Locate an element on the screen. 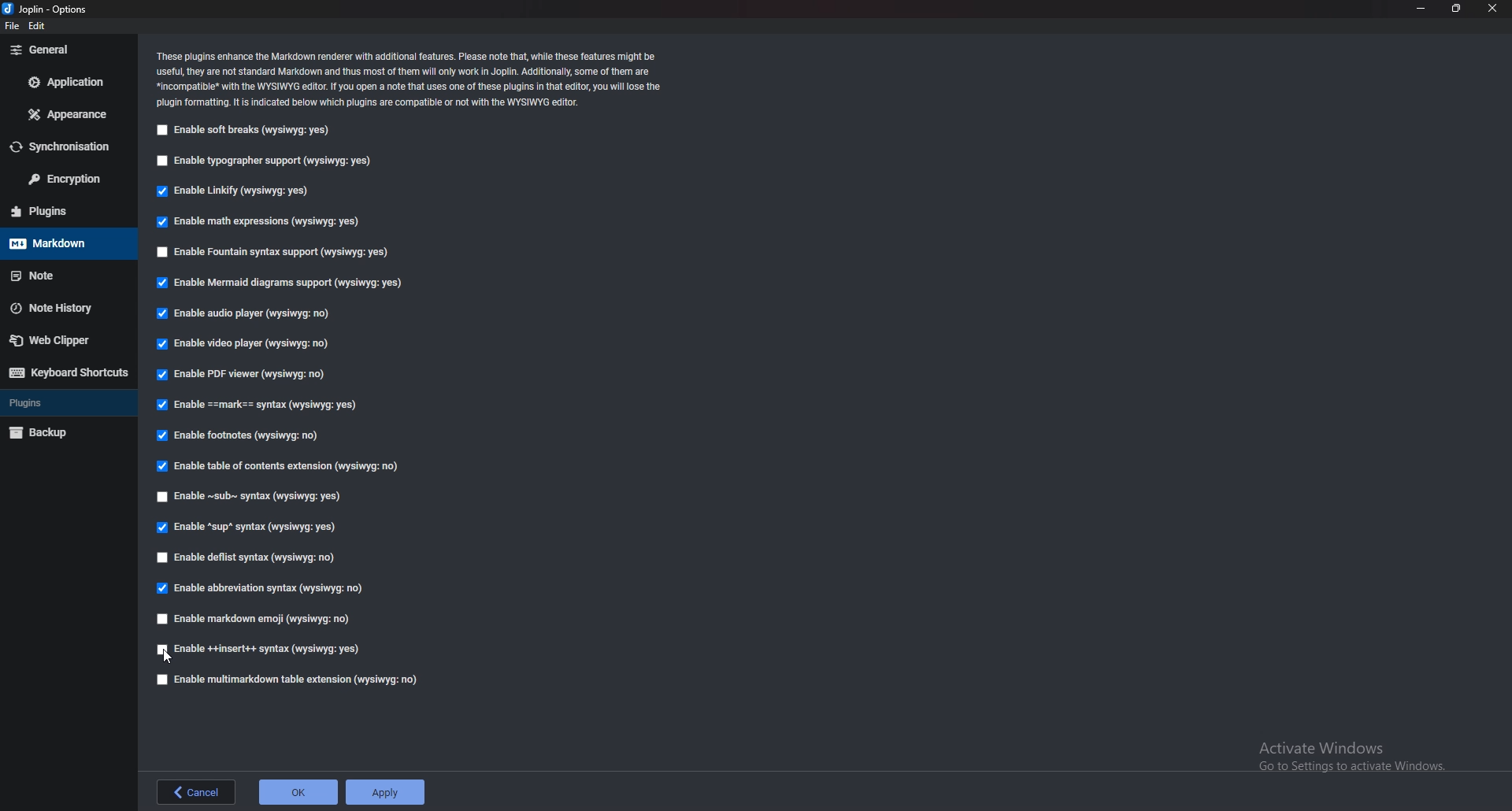  Enable typographer support (wysiwyg: yes) is located at coordinates (269, 158).